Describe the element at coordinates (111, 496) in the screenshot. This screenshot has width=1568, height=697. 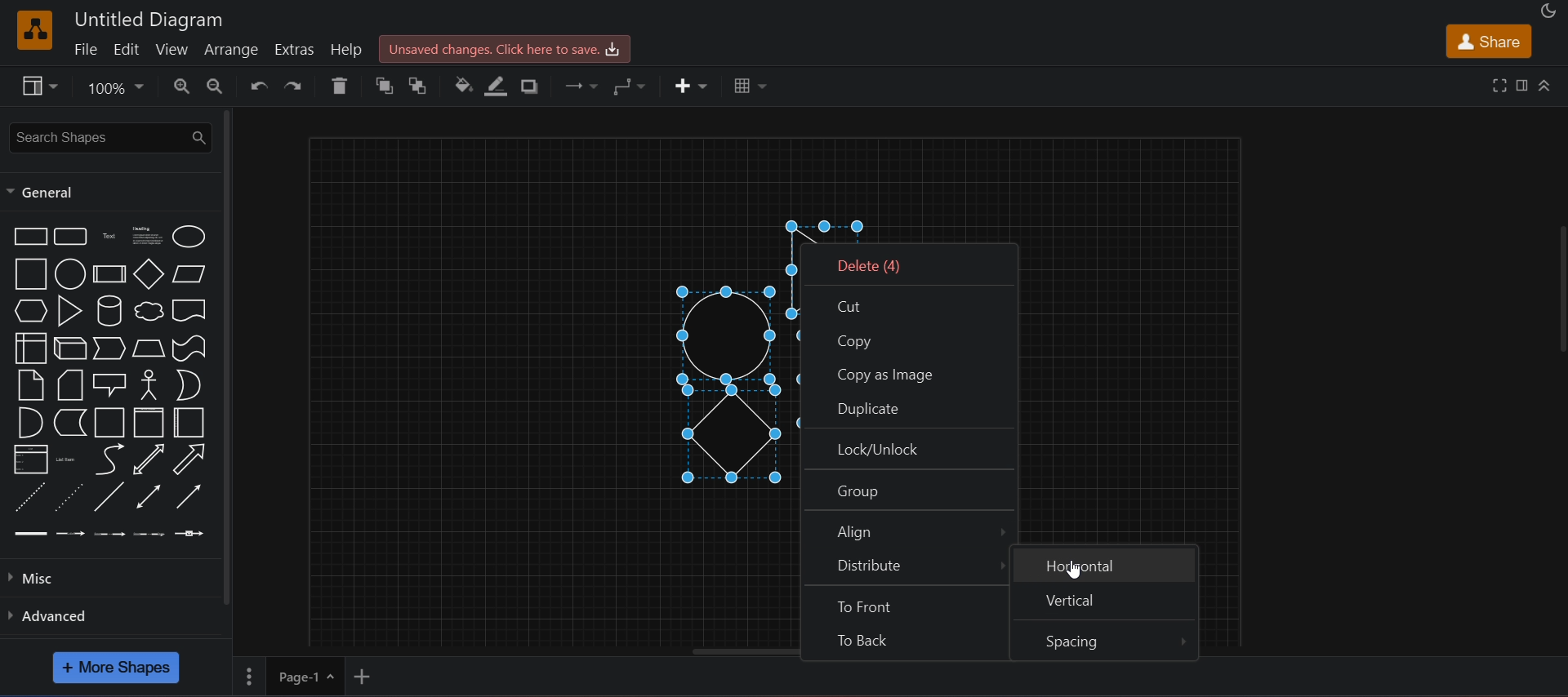
I see `line` at that location.